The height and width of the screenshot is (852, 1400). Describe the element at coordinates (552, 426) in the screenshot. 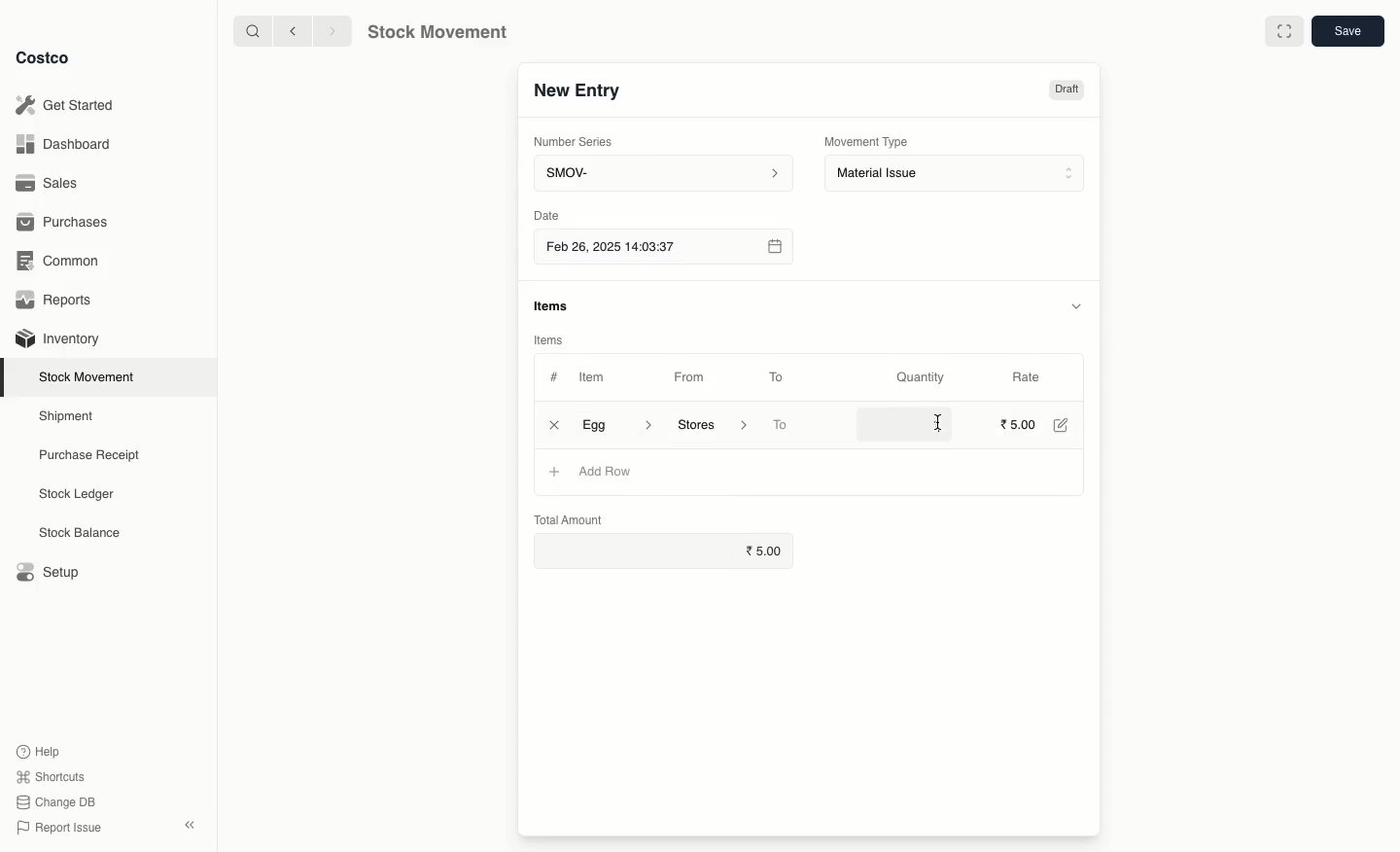

I see `Close` at that location.